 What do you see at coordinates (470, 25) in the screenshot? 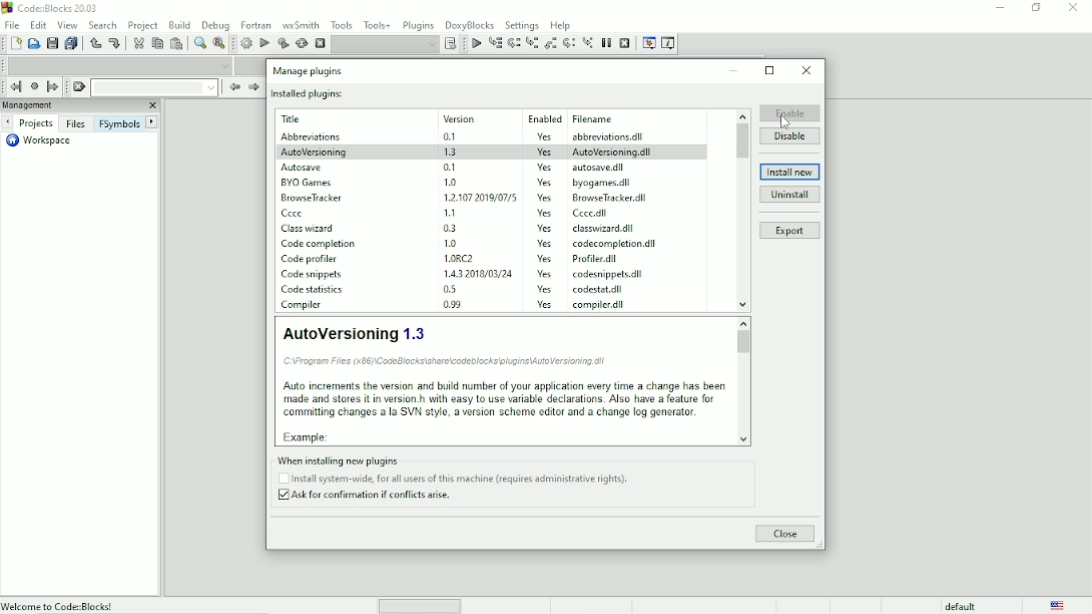
I see `DoxyBlocks` at bounding box center [470, 25].